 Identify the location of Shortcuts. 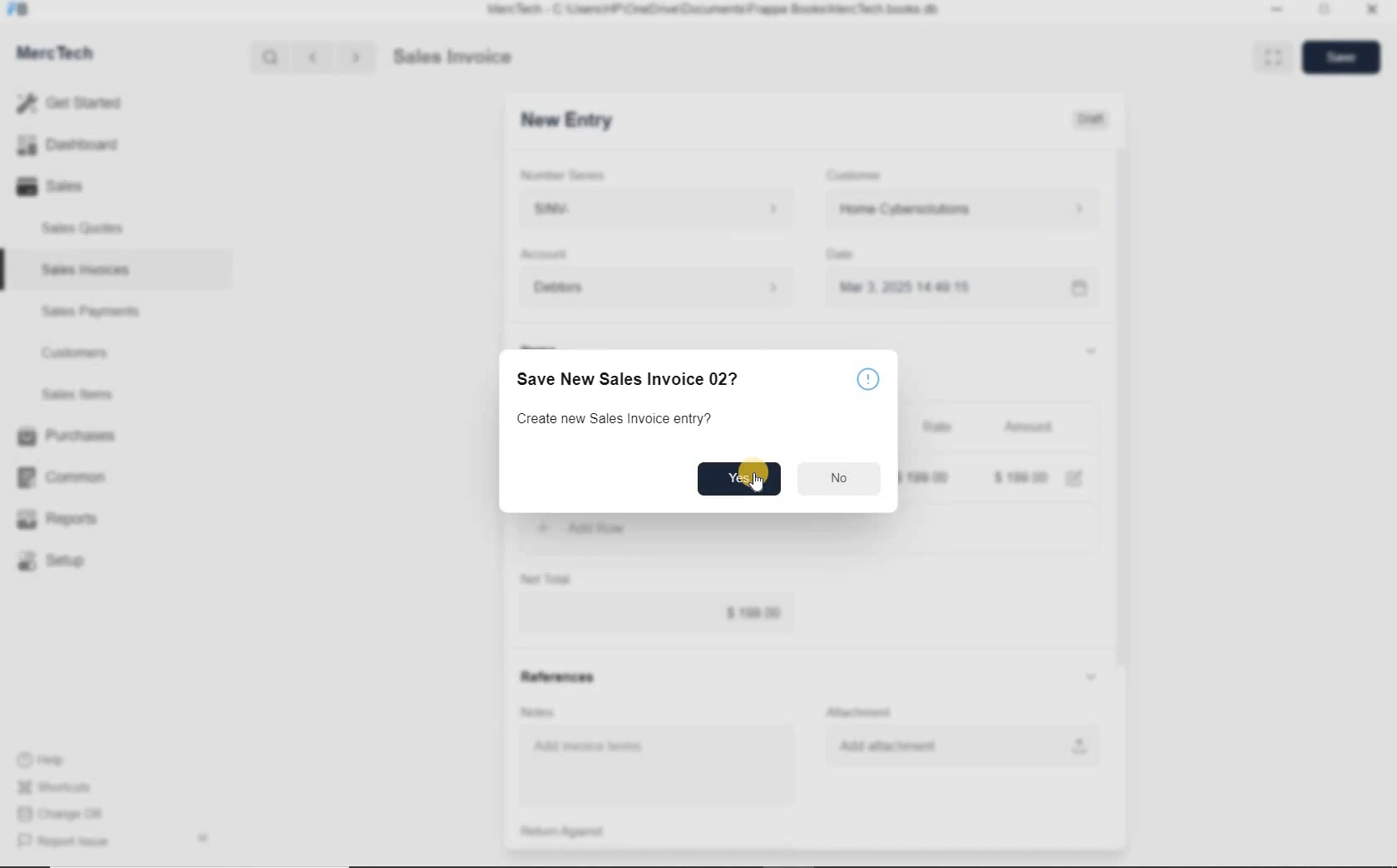
(62, 788).